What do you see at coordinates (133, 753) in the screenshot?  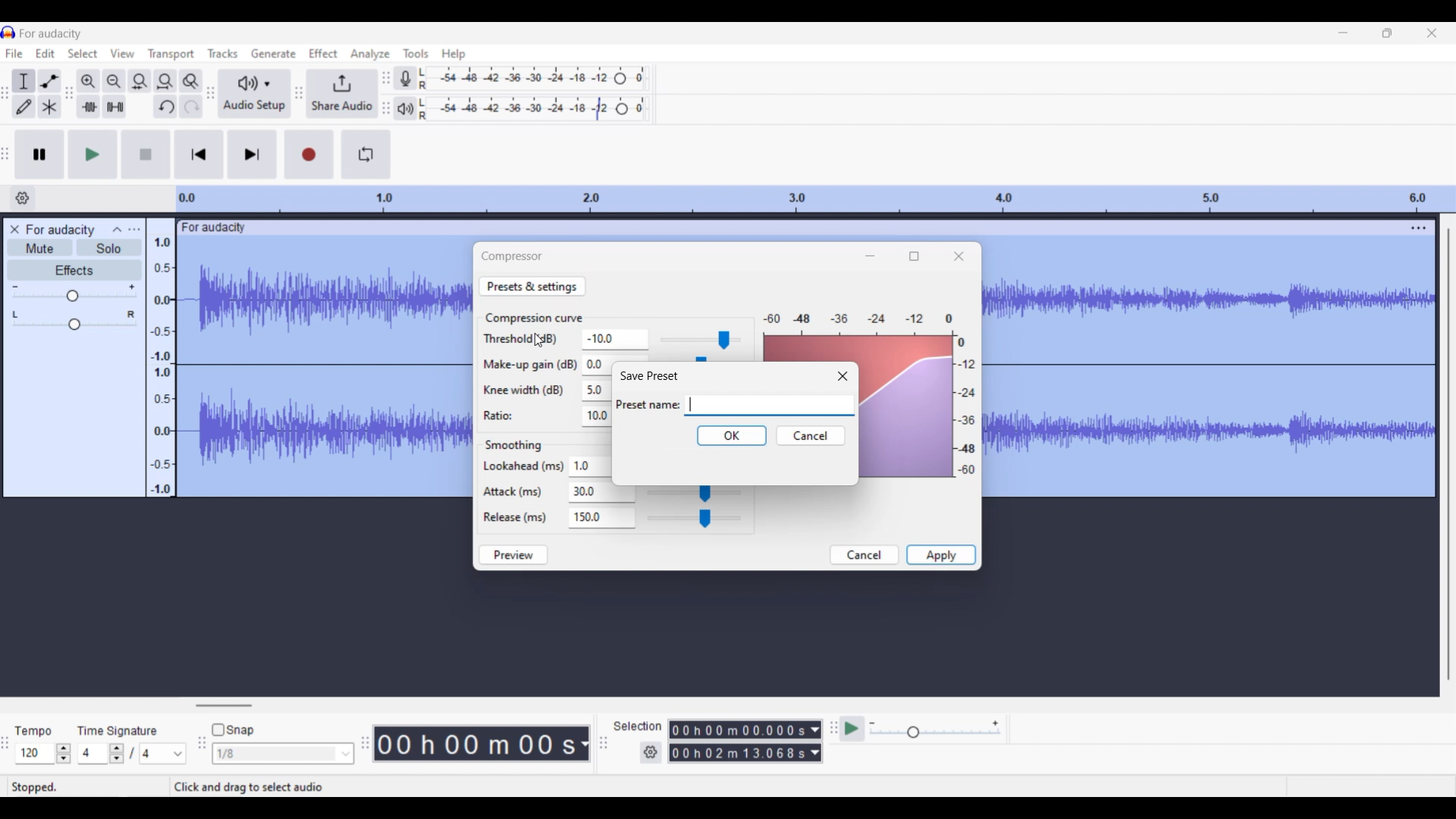 I see `Time signature settings` at bounding box center [133, 753].